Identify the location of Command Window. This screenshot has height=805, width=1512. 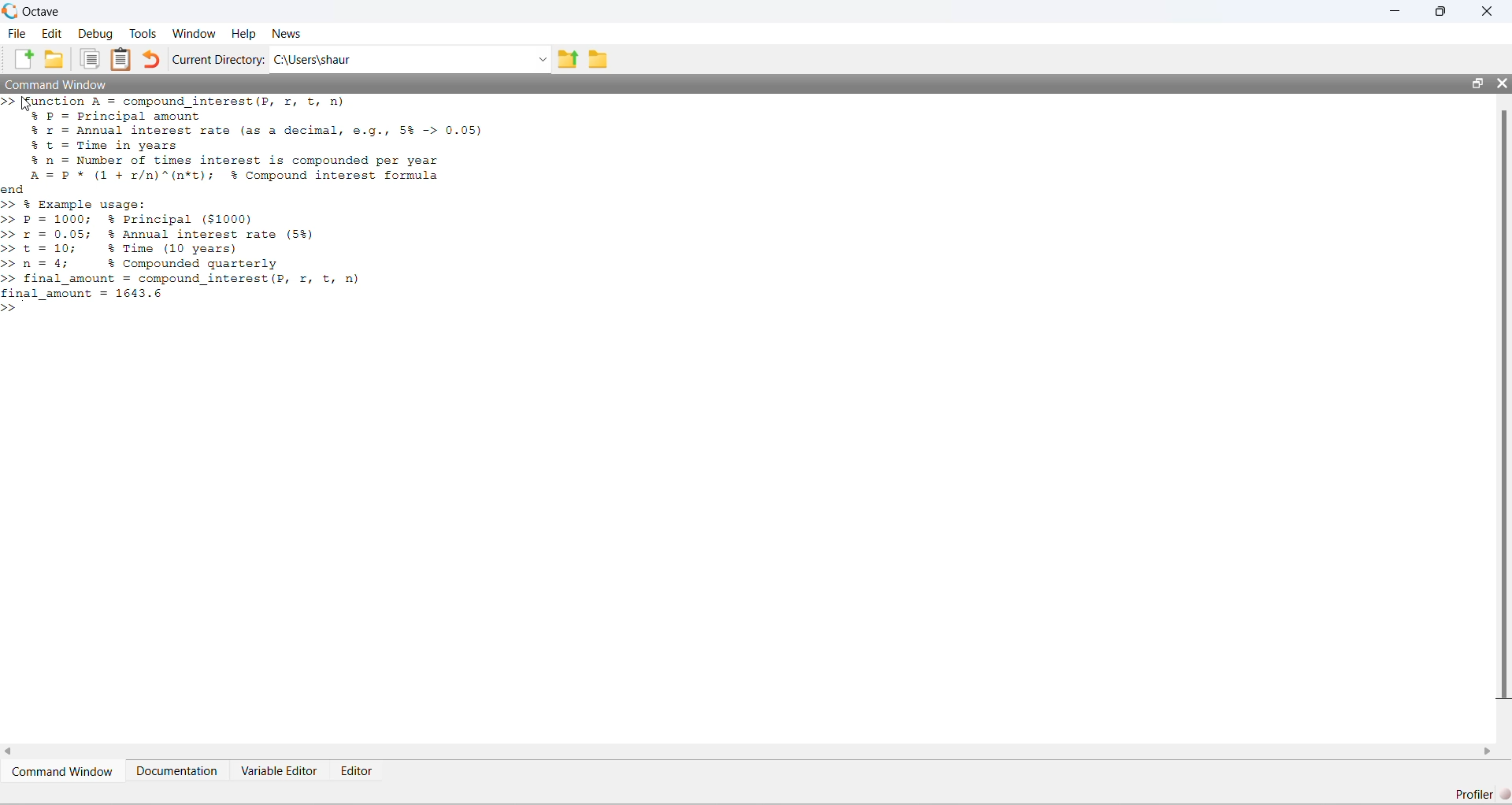
(64, 771).